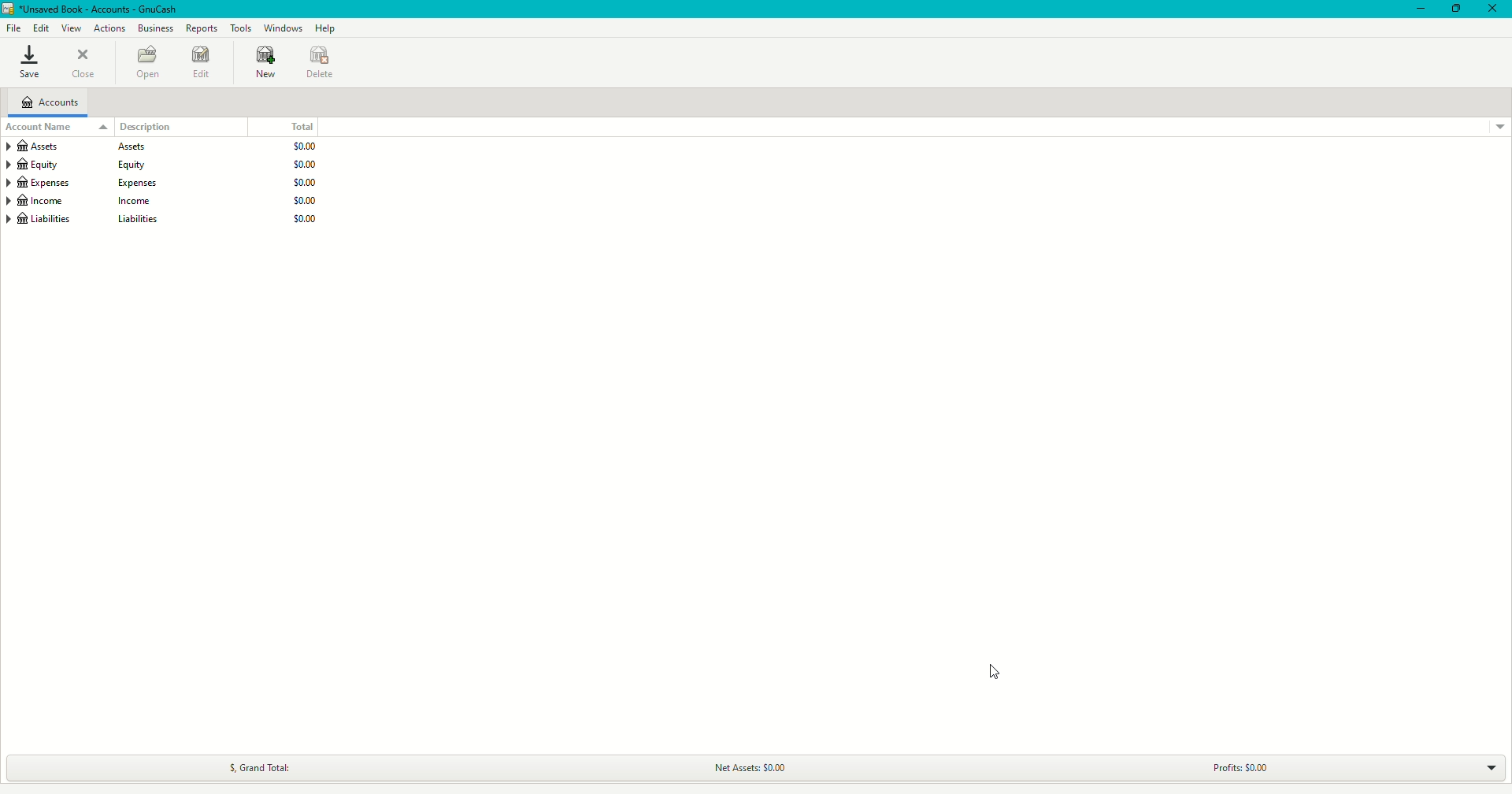  Describe the element at coordinates (14, 28) in the screenshot. I see `File` at that location.